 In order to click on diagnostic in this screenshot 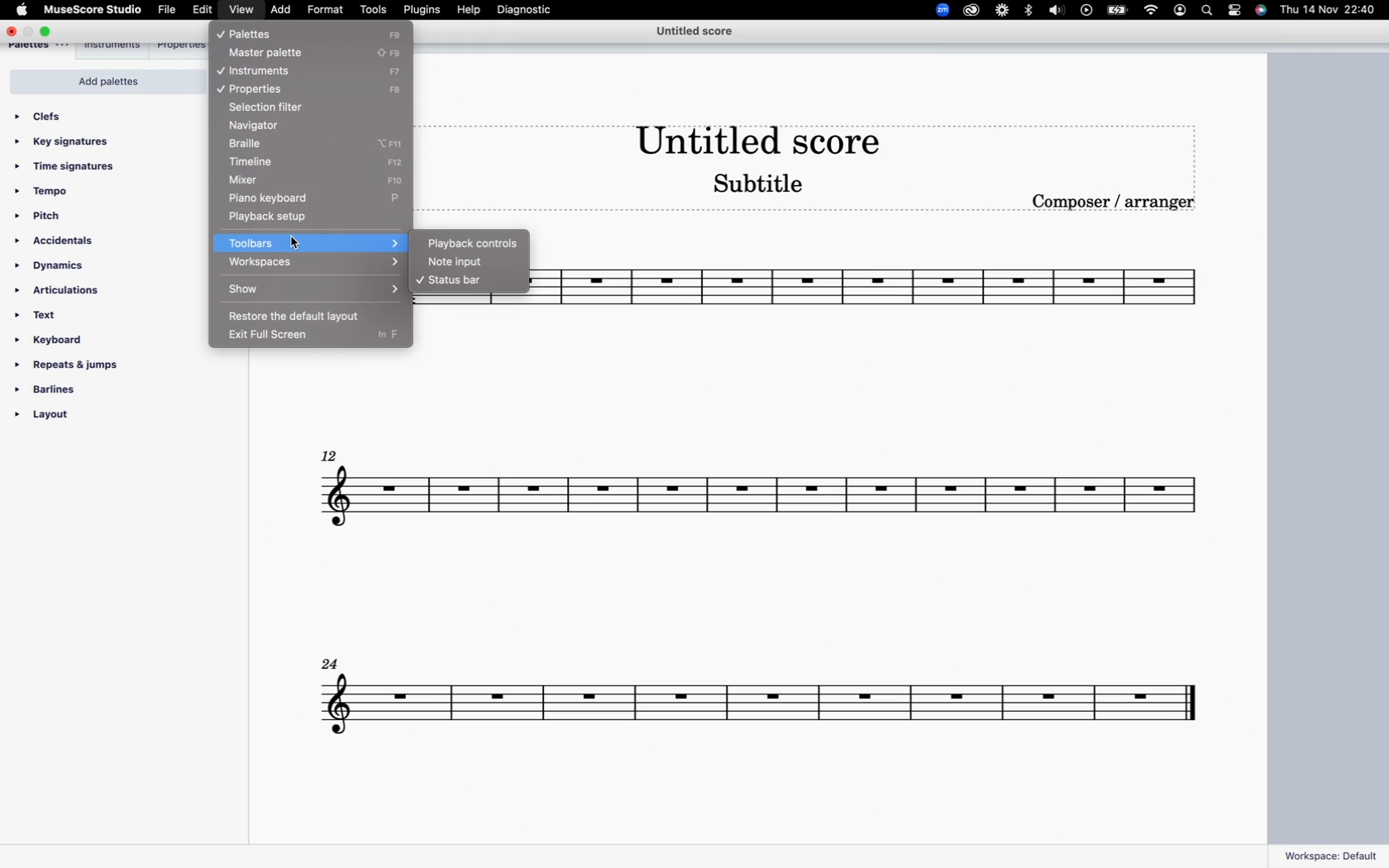, I will do `click(533, 12)`.